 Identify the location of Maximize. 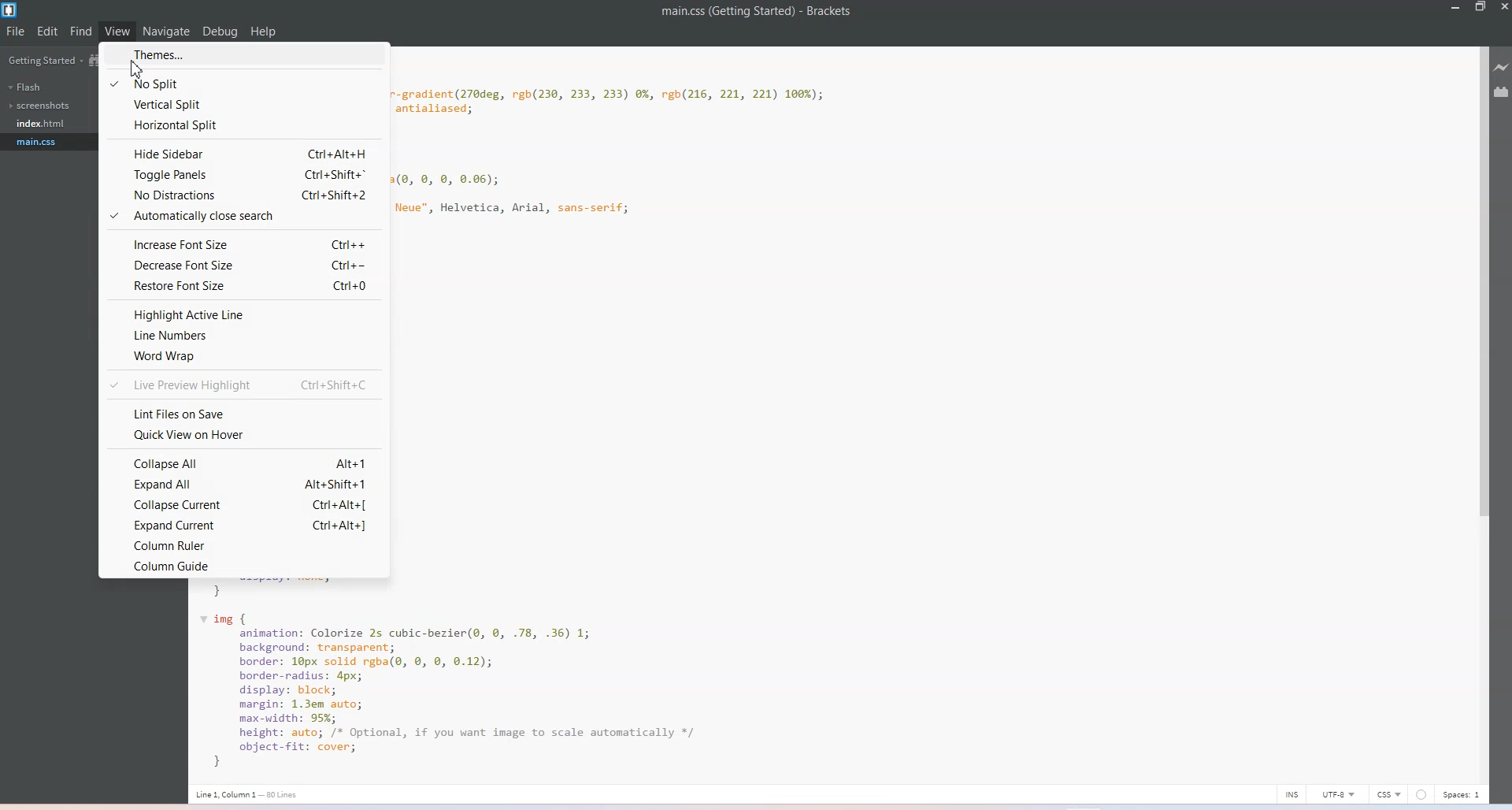
(1480, 7).